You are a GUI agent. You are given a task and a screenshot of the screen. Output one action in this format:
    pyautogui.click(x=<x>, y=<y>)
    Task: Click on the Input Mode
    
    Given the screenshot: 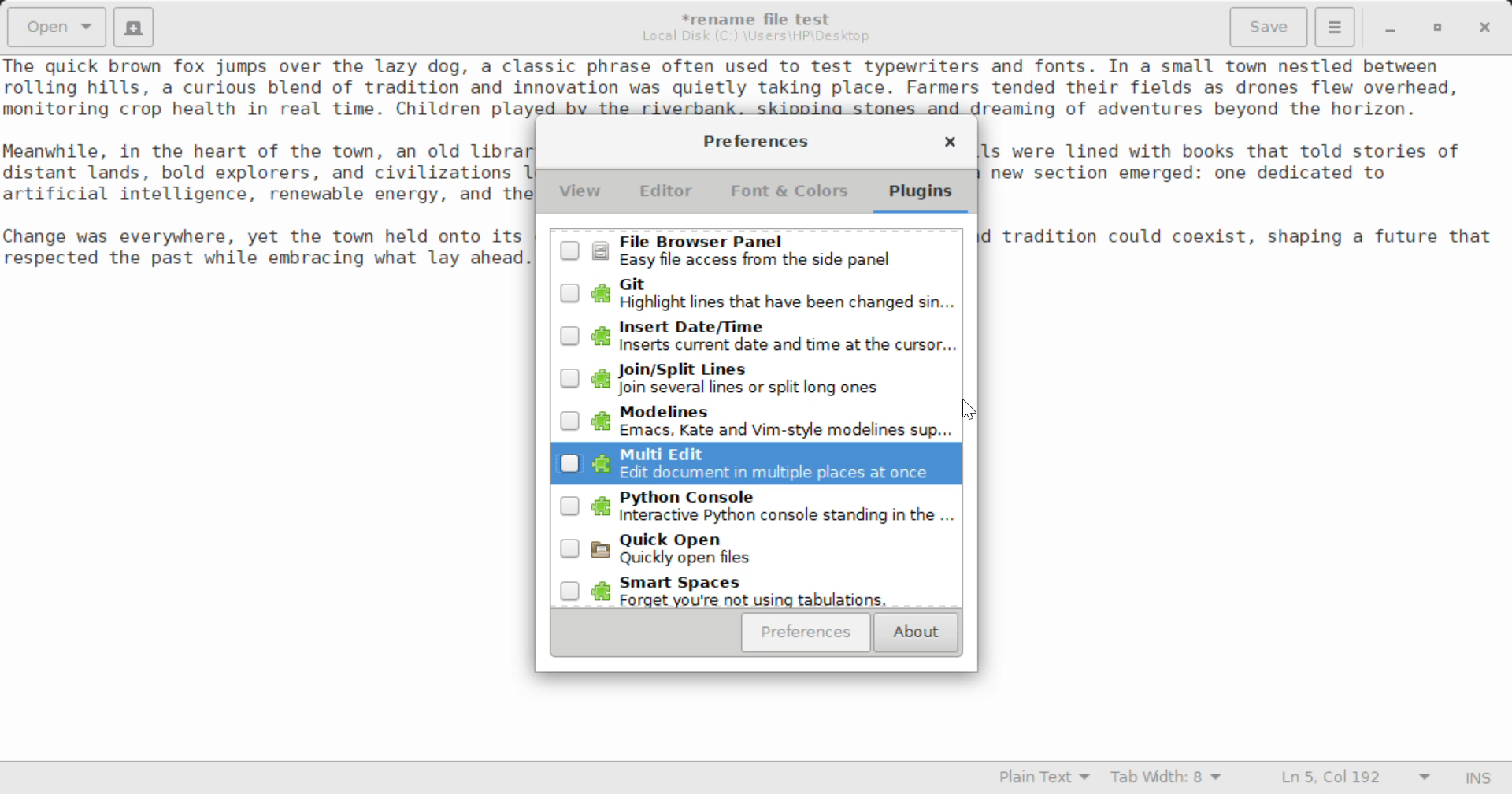 What is the action you would take?
    pyautogui.click(x=1478, y=780)
    